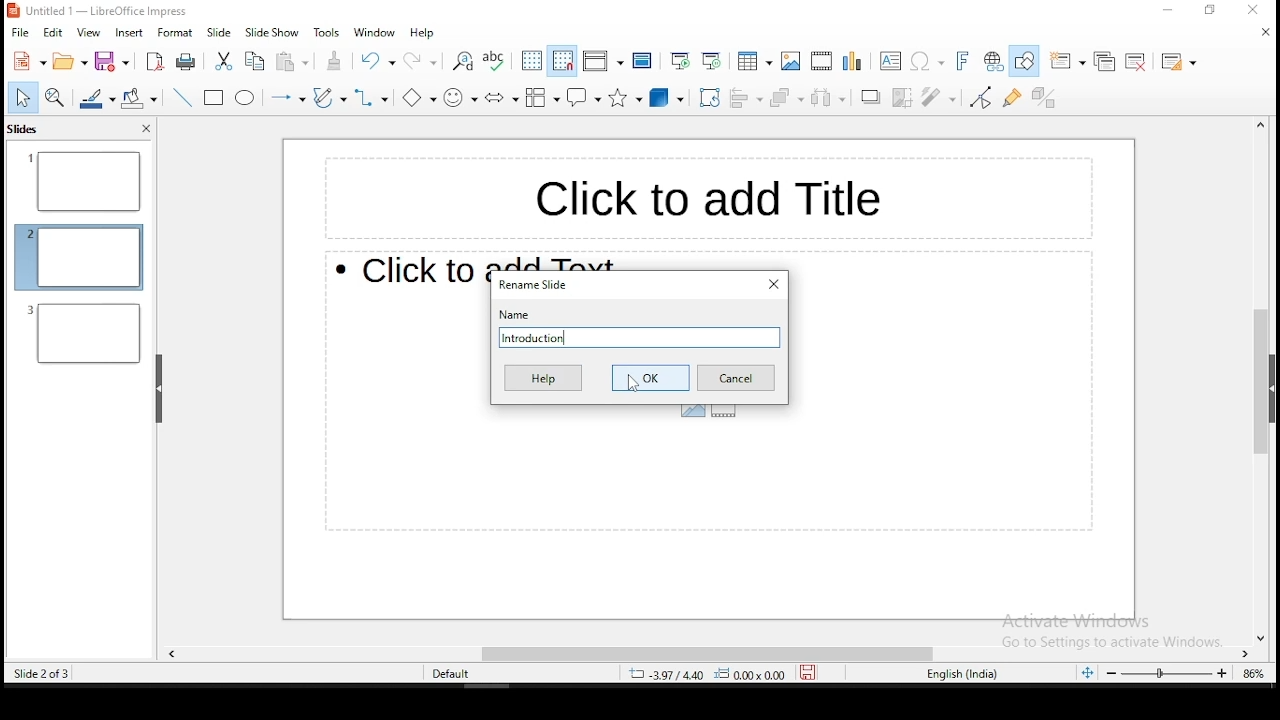  I want to click on flowchart, so click(540, 99).